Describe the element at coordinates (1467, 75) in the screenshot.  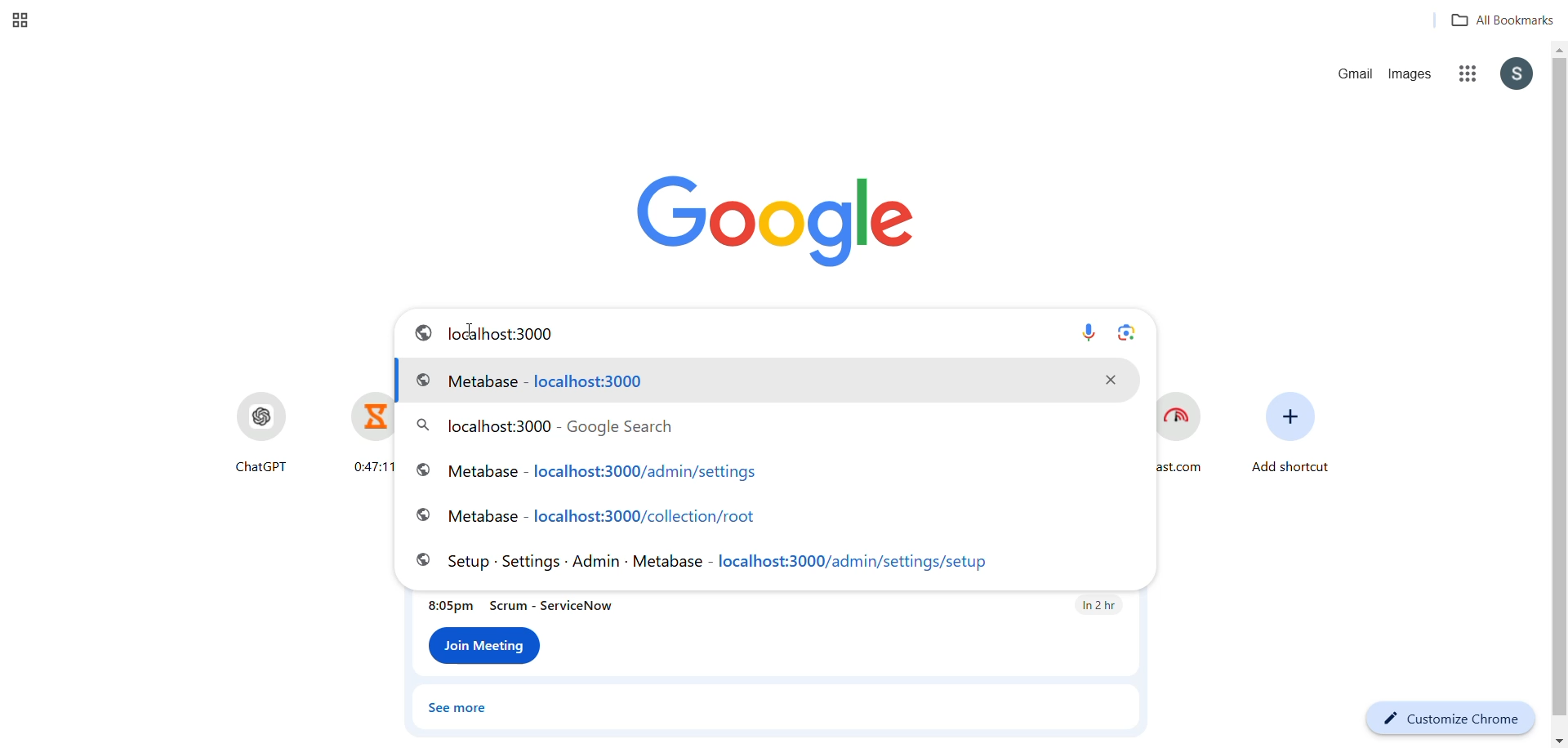
I see `google options` at that location.